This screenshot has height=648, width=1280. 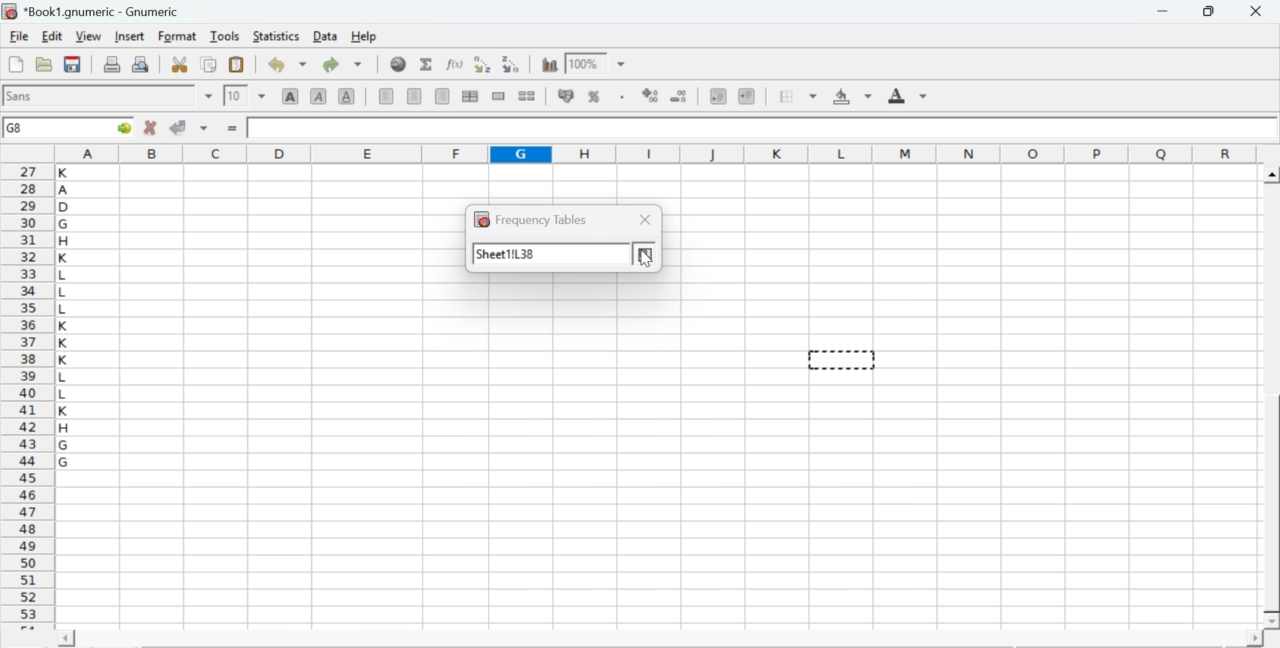 I want to click on decrease indent, so click(x=718, y=95).